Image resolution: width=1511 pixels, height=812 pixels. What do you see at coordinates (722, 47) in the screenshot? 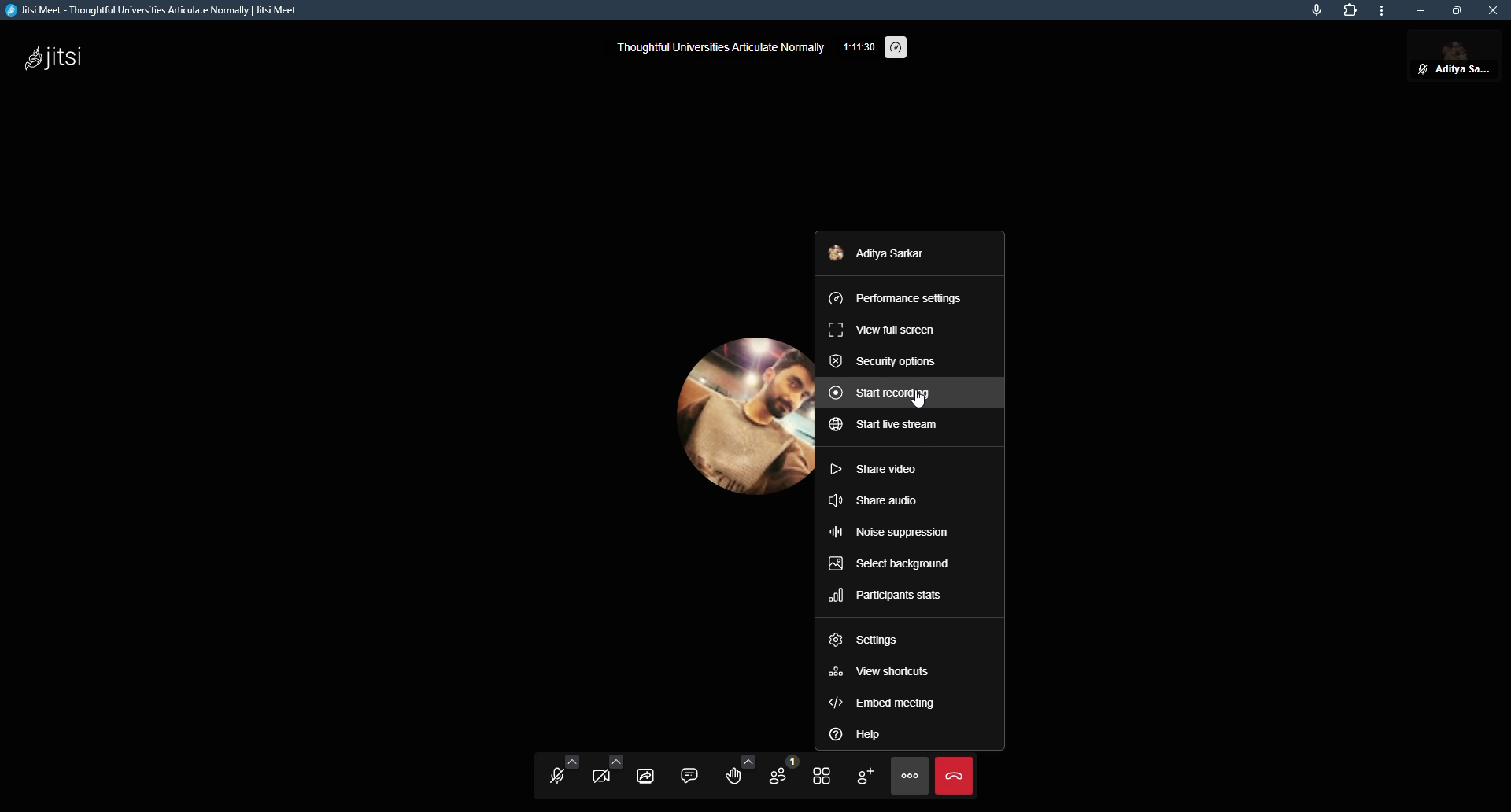
I see `thoughtful universities articulate normally` at bounding box center [722, 47].